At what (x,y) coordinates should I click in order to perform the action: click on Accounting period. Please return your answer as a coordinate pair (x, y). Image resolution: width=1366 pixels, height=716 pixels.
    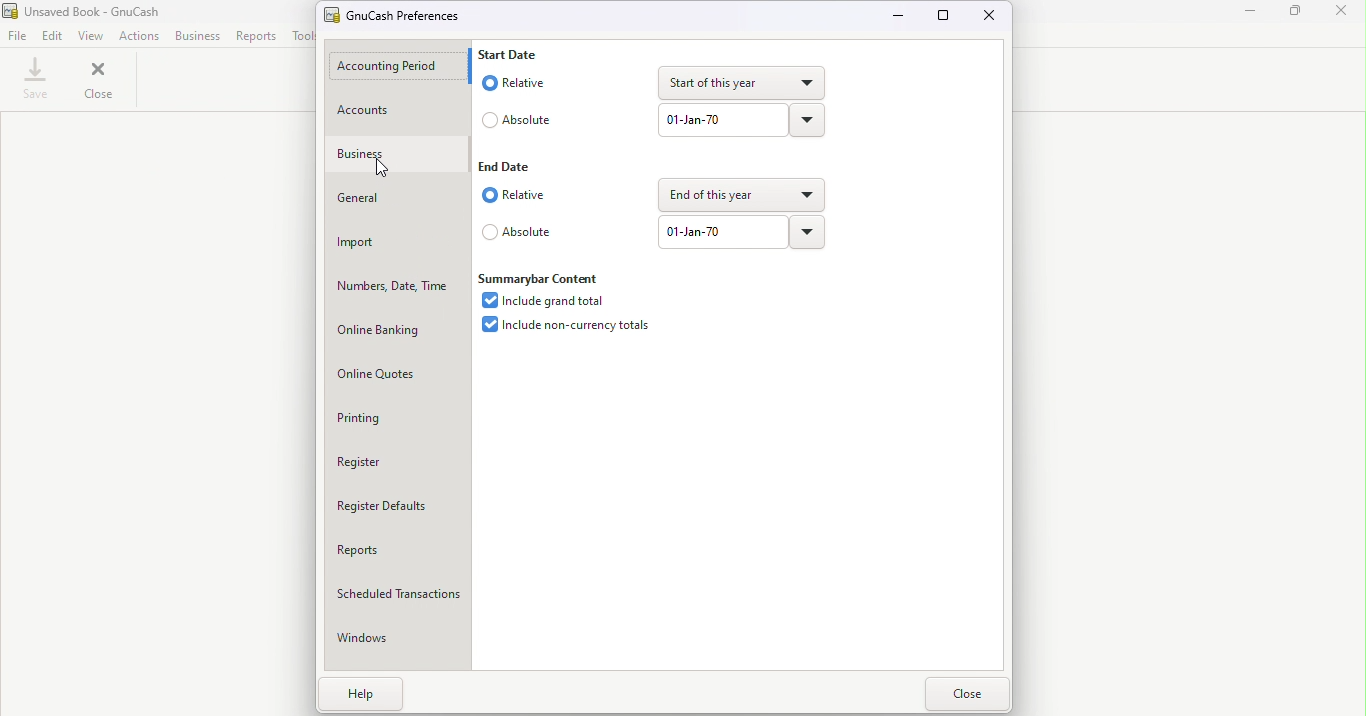
    Looking at the image, I should click on (399, 66).